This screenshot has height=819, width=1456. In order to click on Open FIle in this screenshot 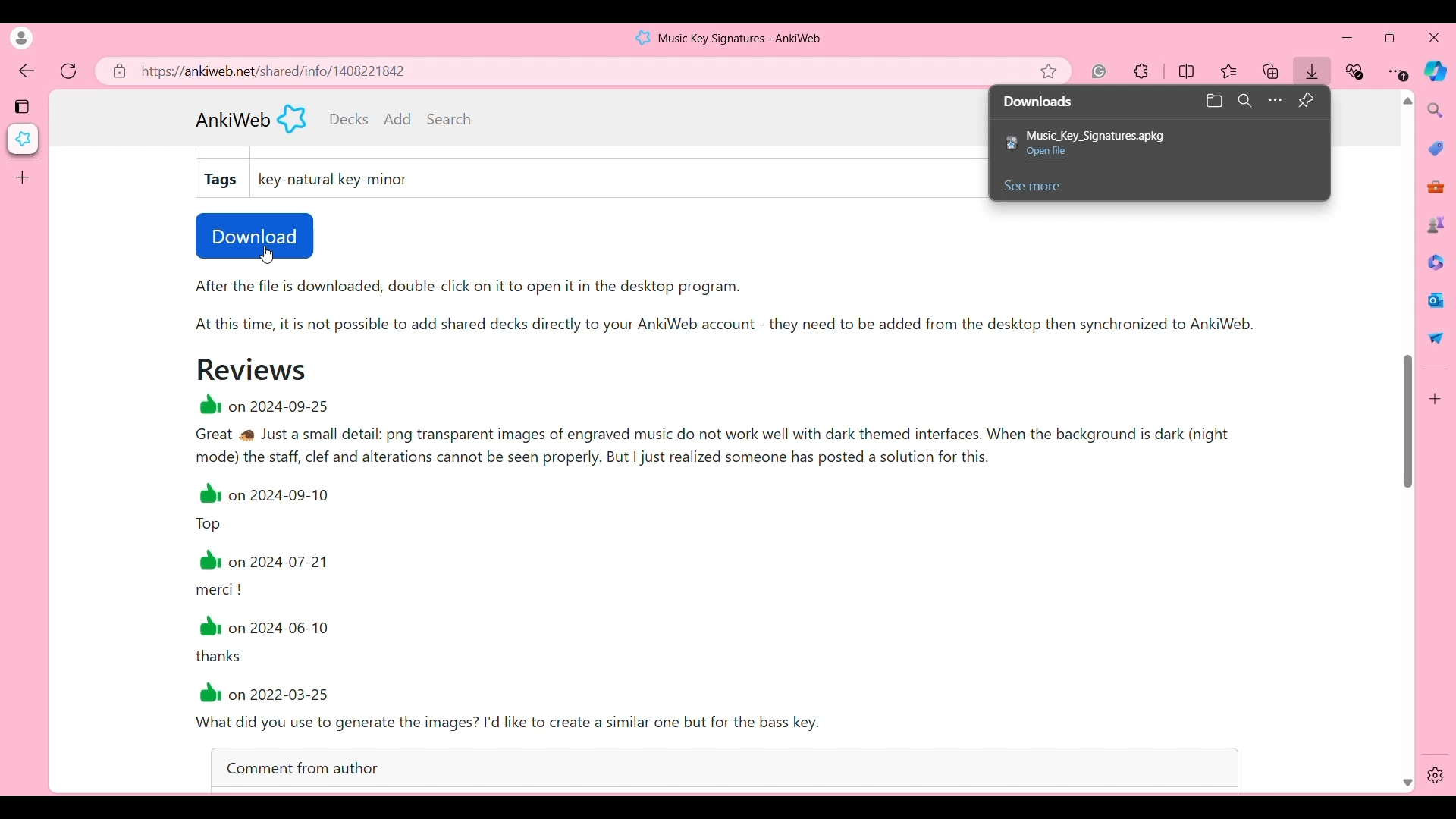, I will do `click(1046, 152)`.